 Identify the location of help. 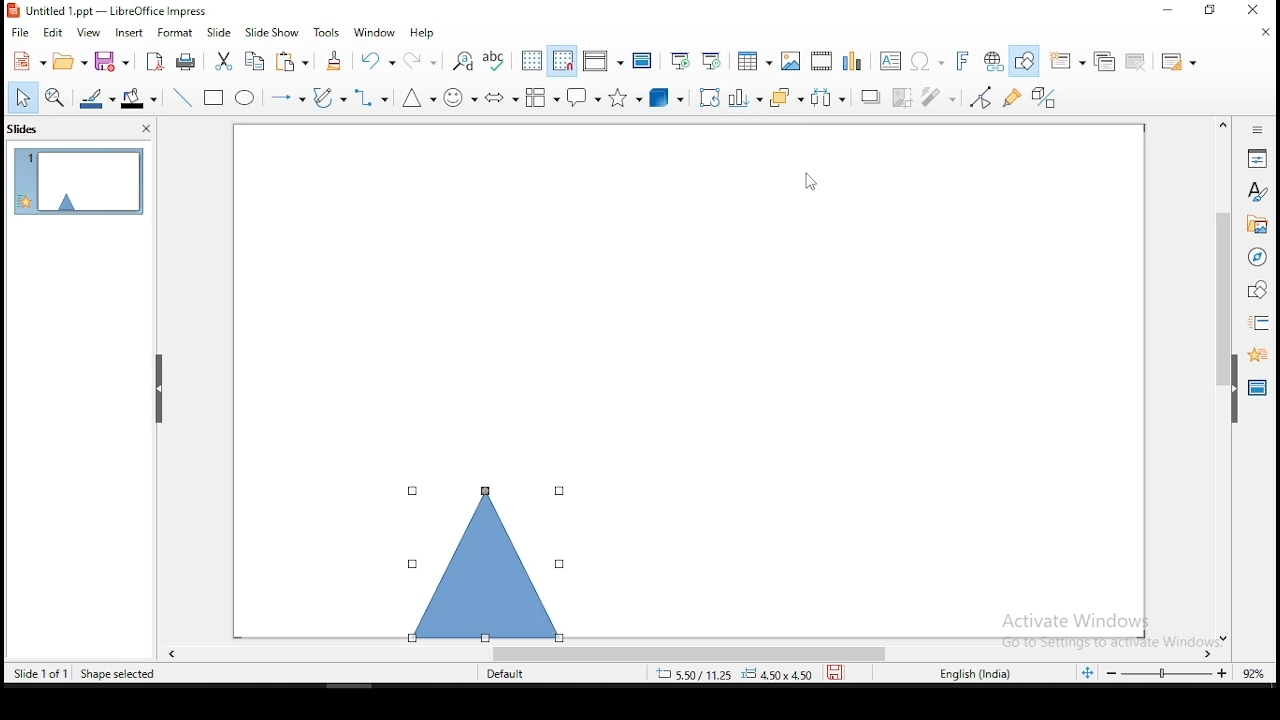
(427, 33).